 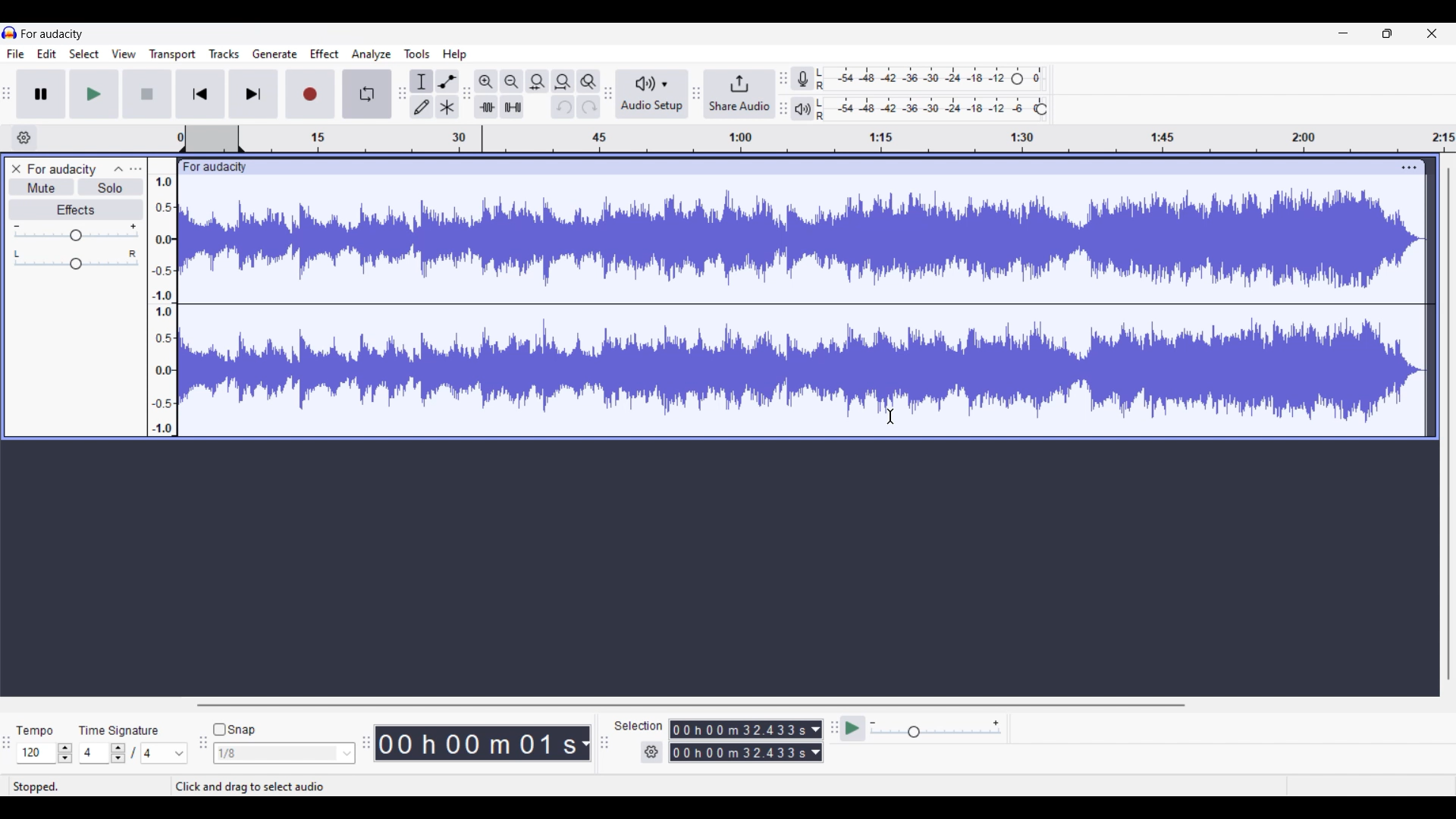 What do you see at coordinates (16, 54) in the screenshot?
I see `File menu` at bounding box center [16, 54].